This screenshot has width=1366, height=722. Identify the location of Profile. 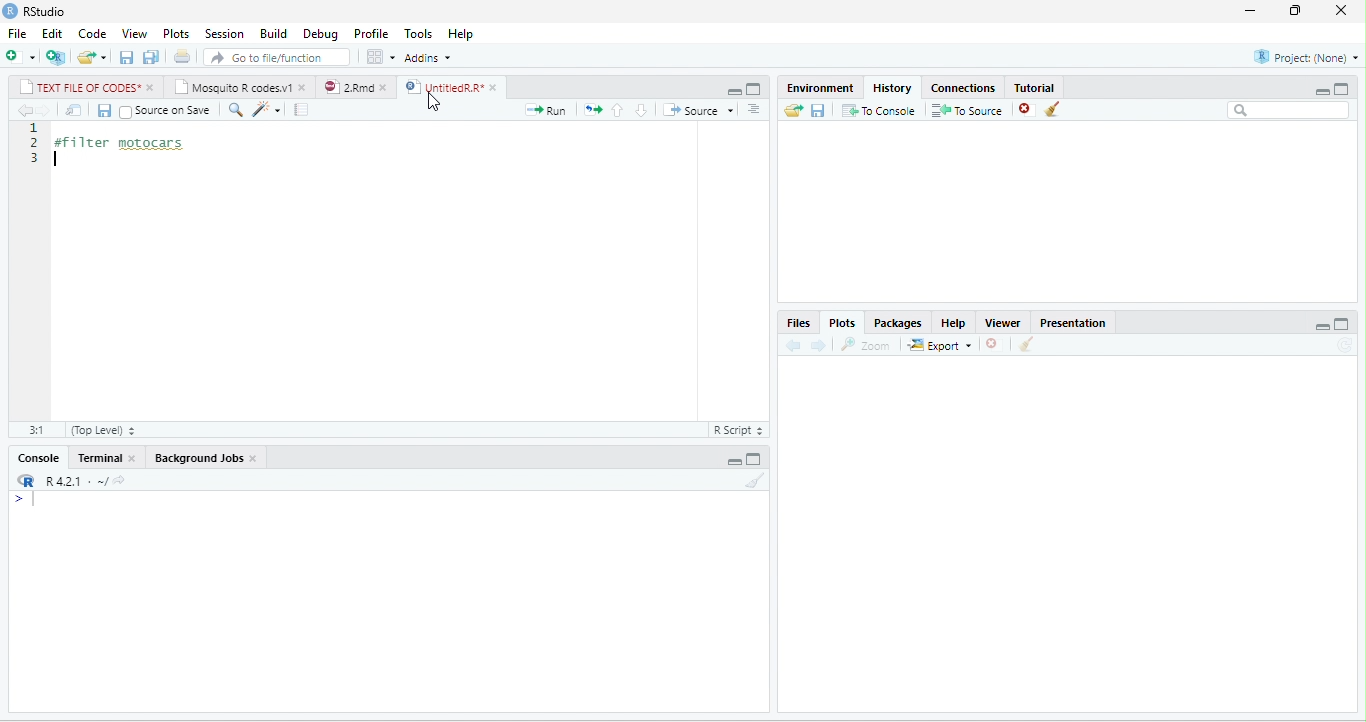
(371, 34).